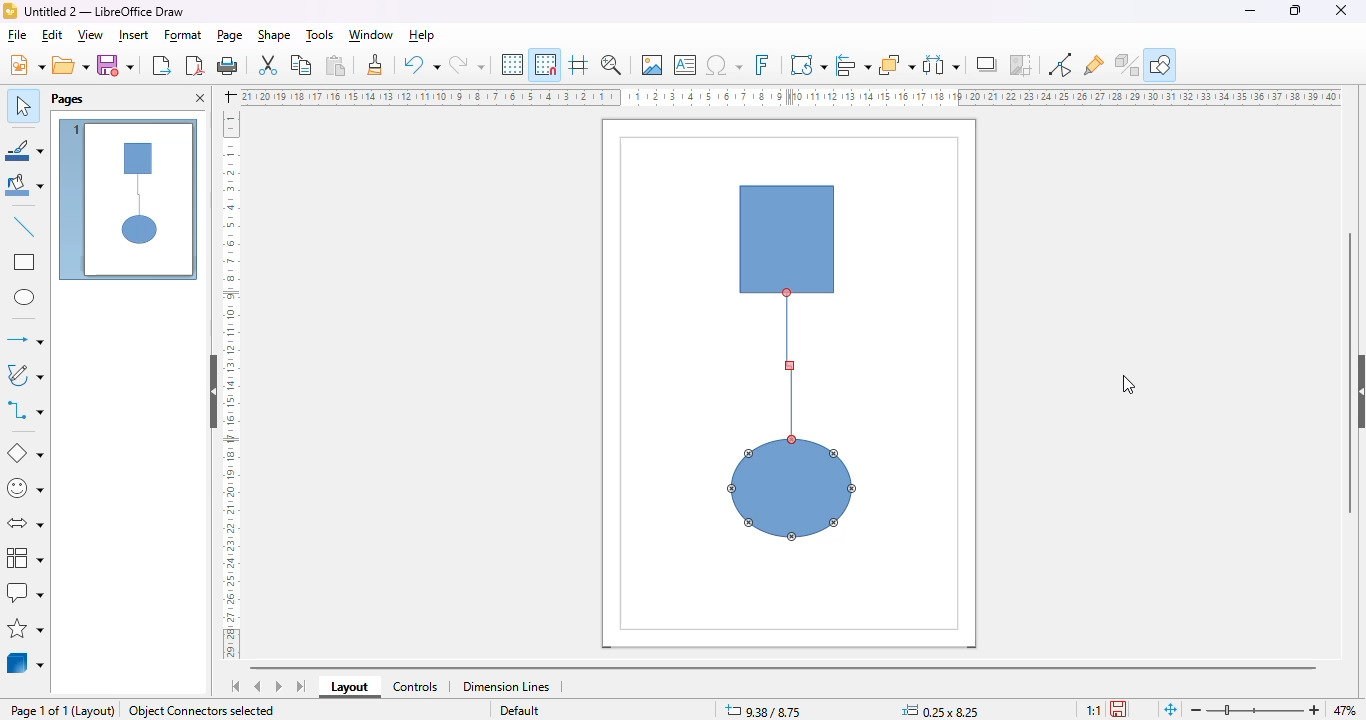  What do you see at coordinates (652, 64) in the screenshot?
I see `insert image` at bounding box center [652, 64].